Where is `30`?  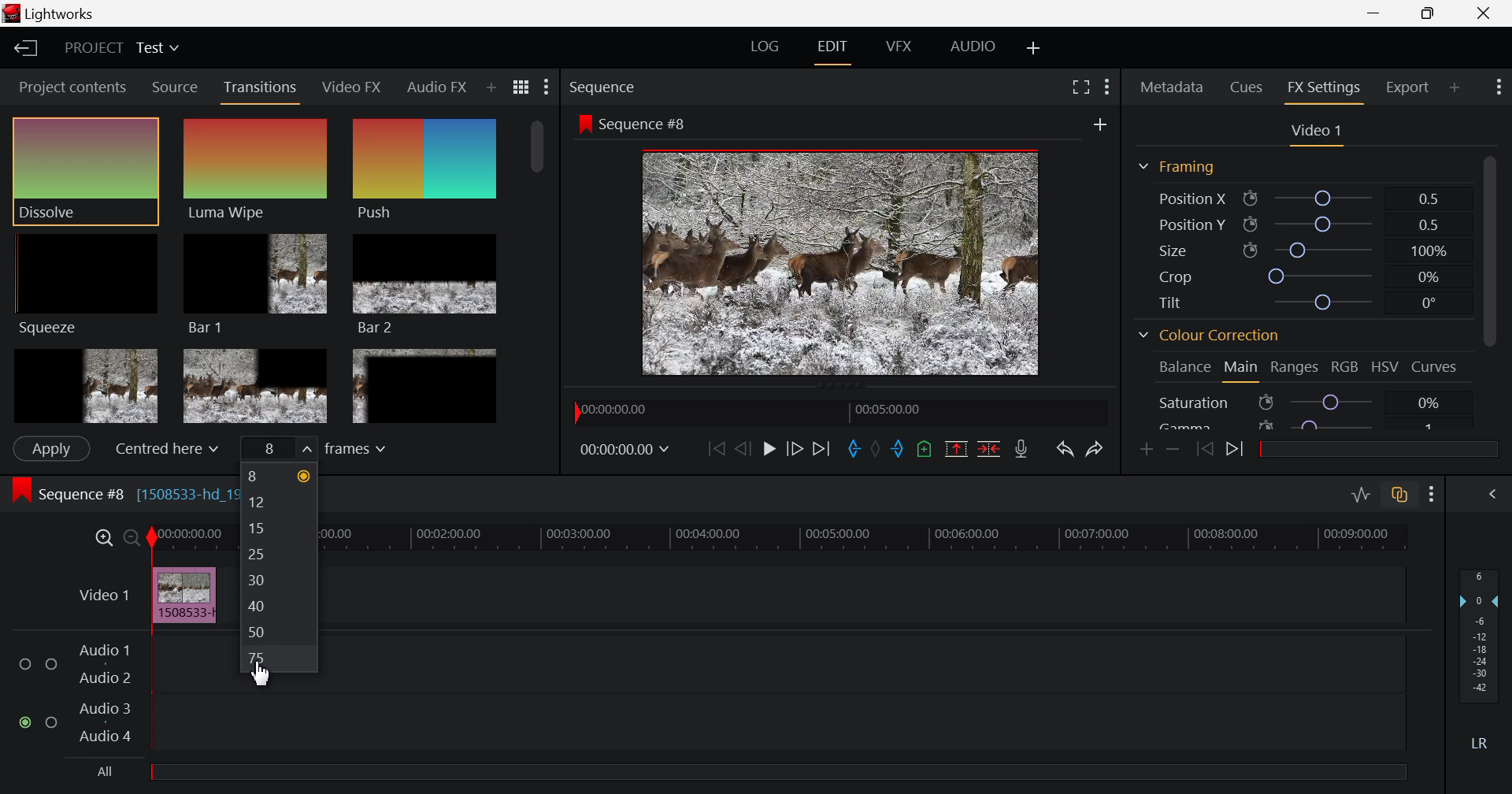
30 is located at coordinates (280, 577).